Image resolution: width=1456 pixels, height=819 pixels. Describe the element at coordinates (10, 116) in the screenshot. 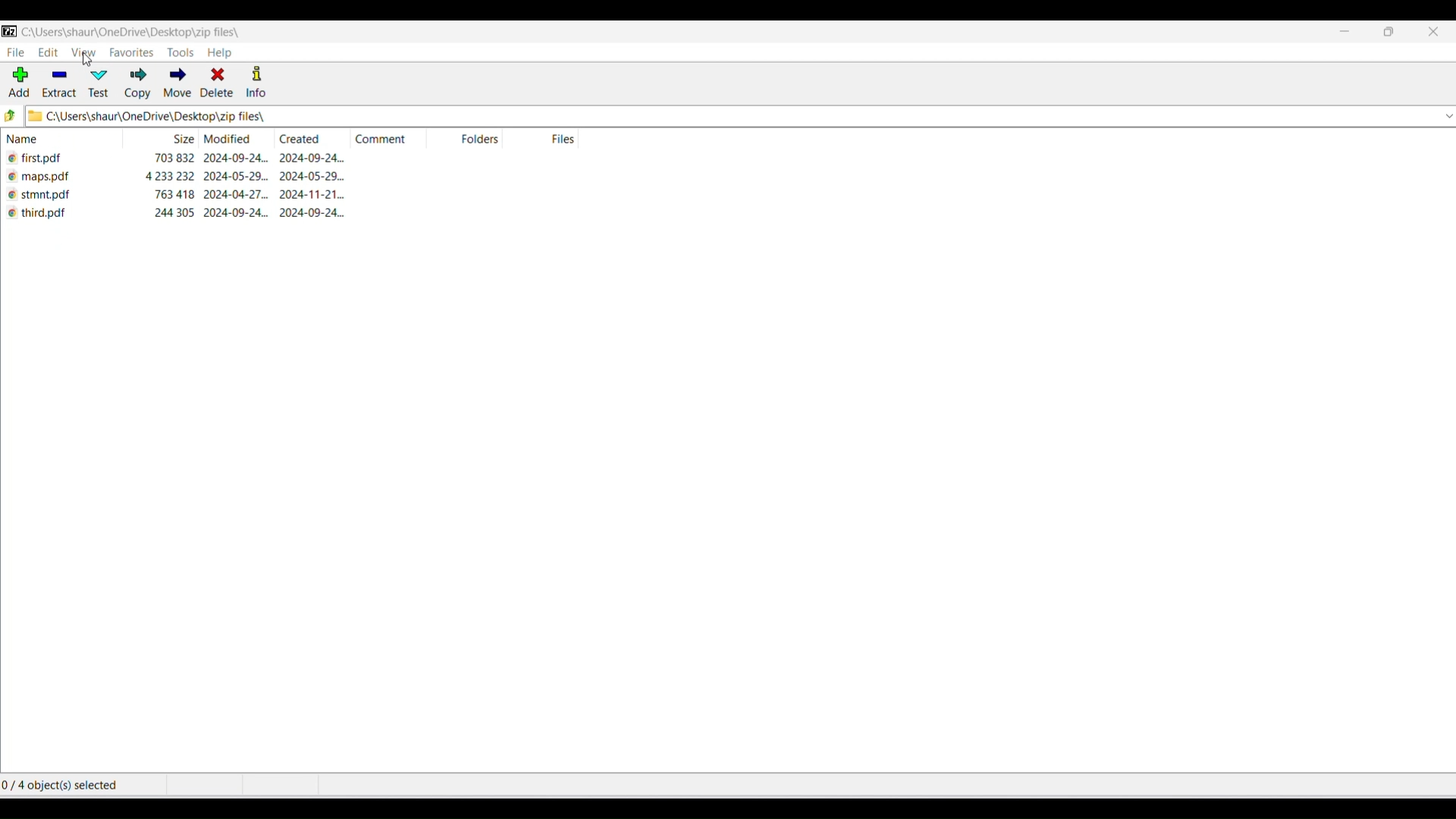

I see `previous paths` at that location.